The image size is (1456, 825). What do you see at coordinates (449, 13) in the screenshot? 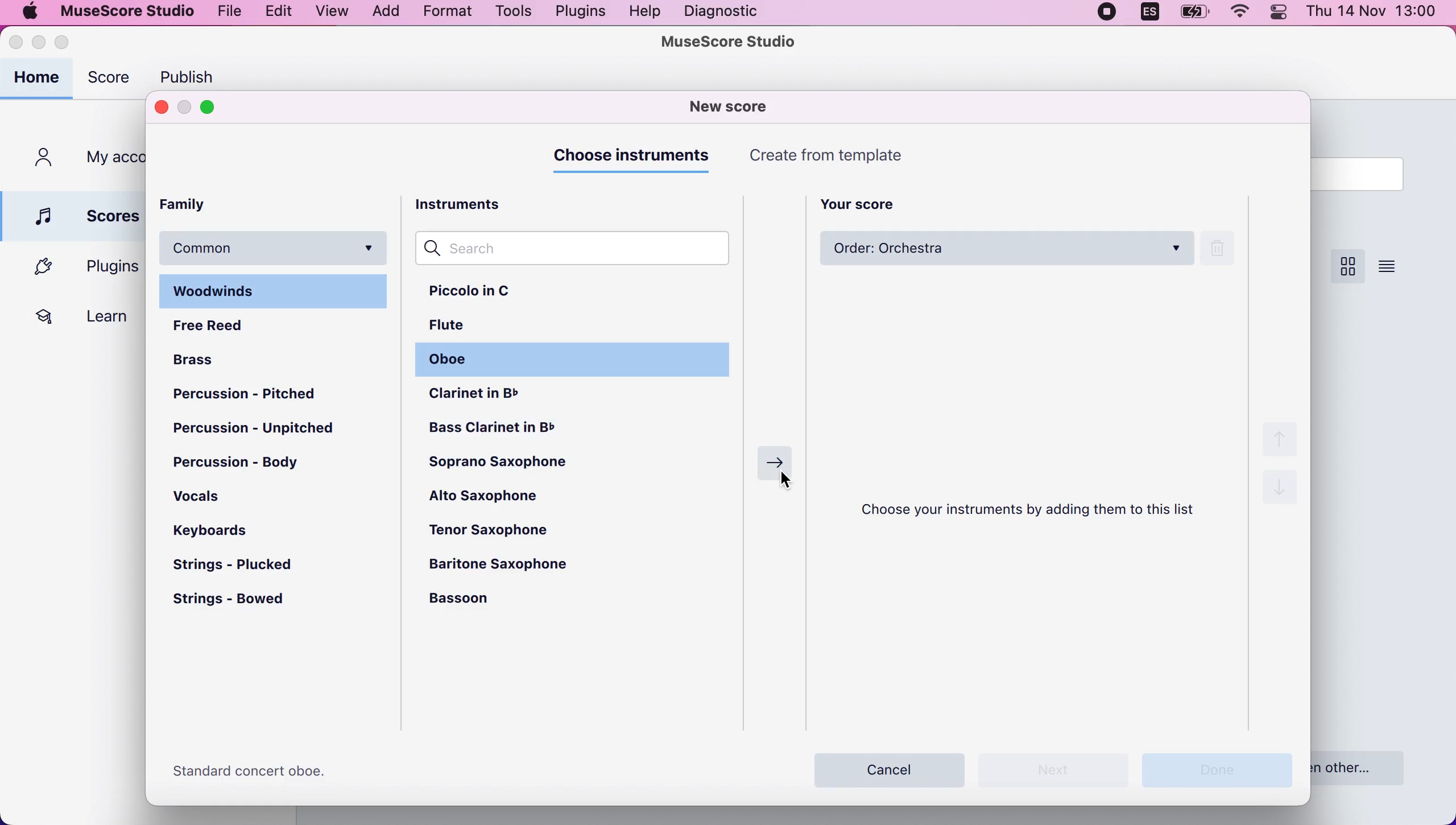
I see `format` at bounding box center [449, 13].